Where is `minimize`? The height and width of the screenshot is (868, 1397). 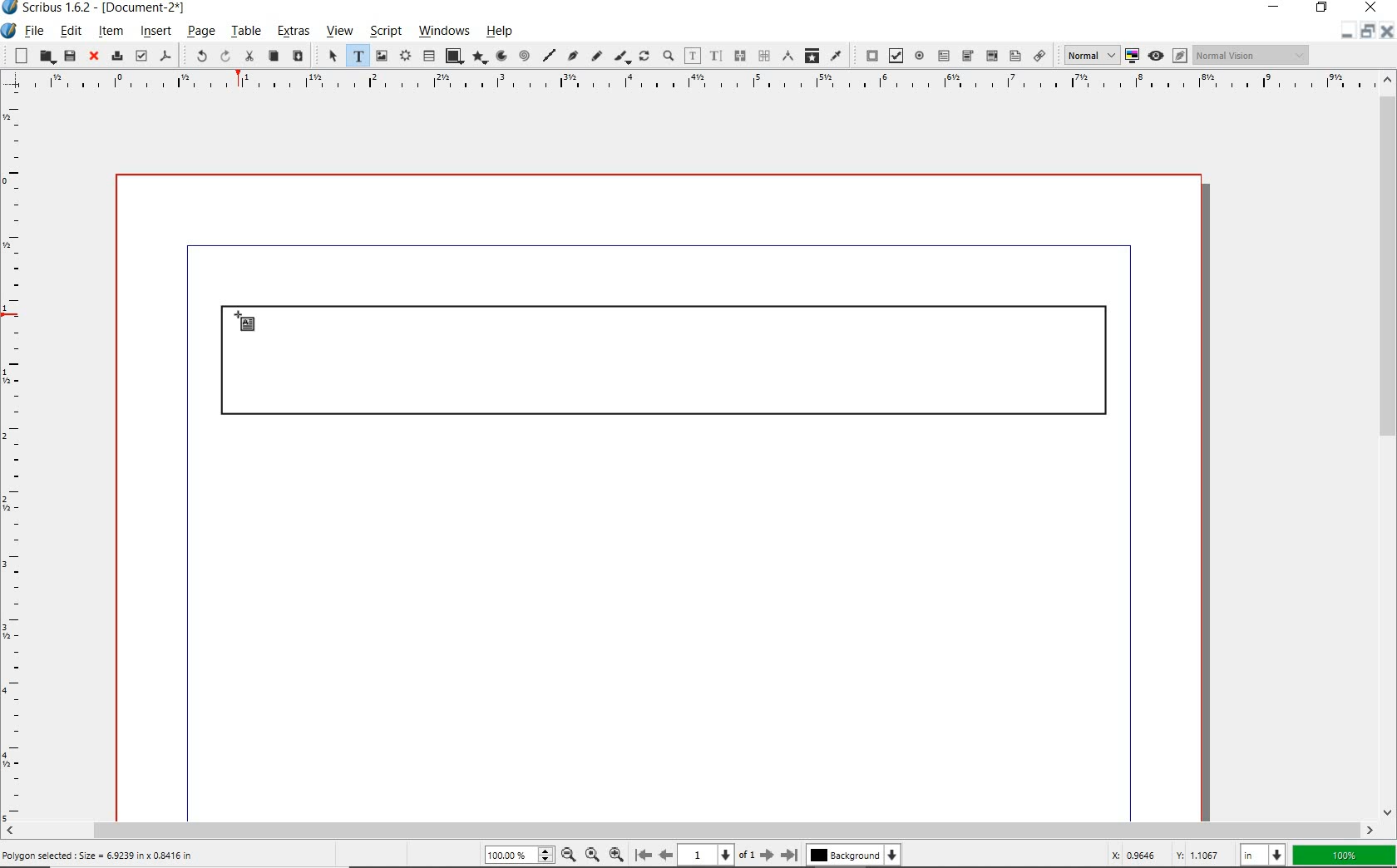
minimize is located at coordinates (1275, 7).